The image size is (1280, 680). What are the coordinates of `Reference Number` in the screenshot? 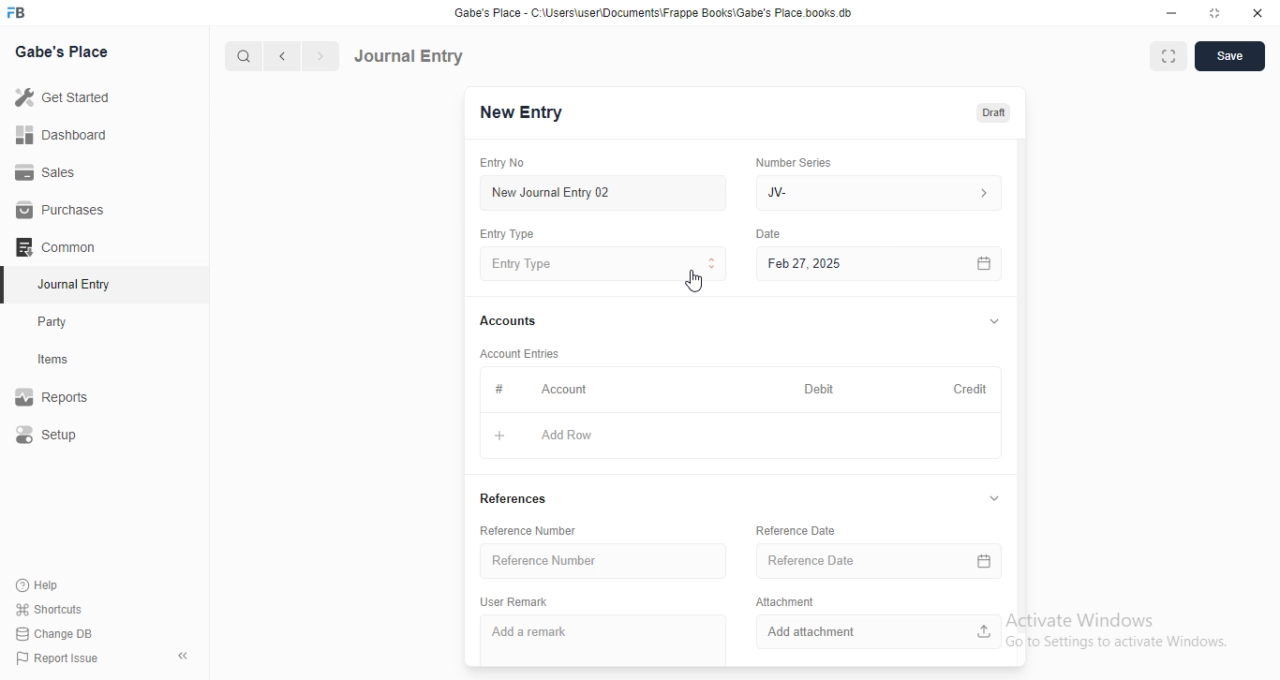 It's located at (529, 530).